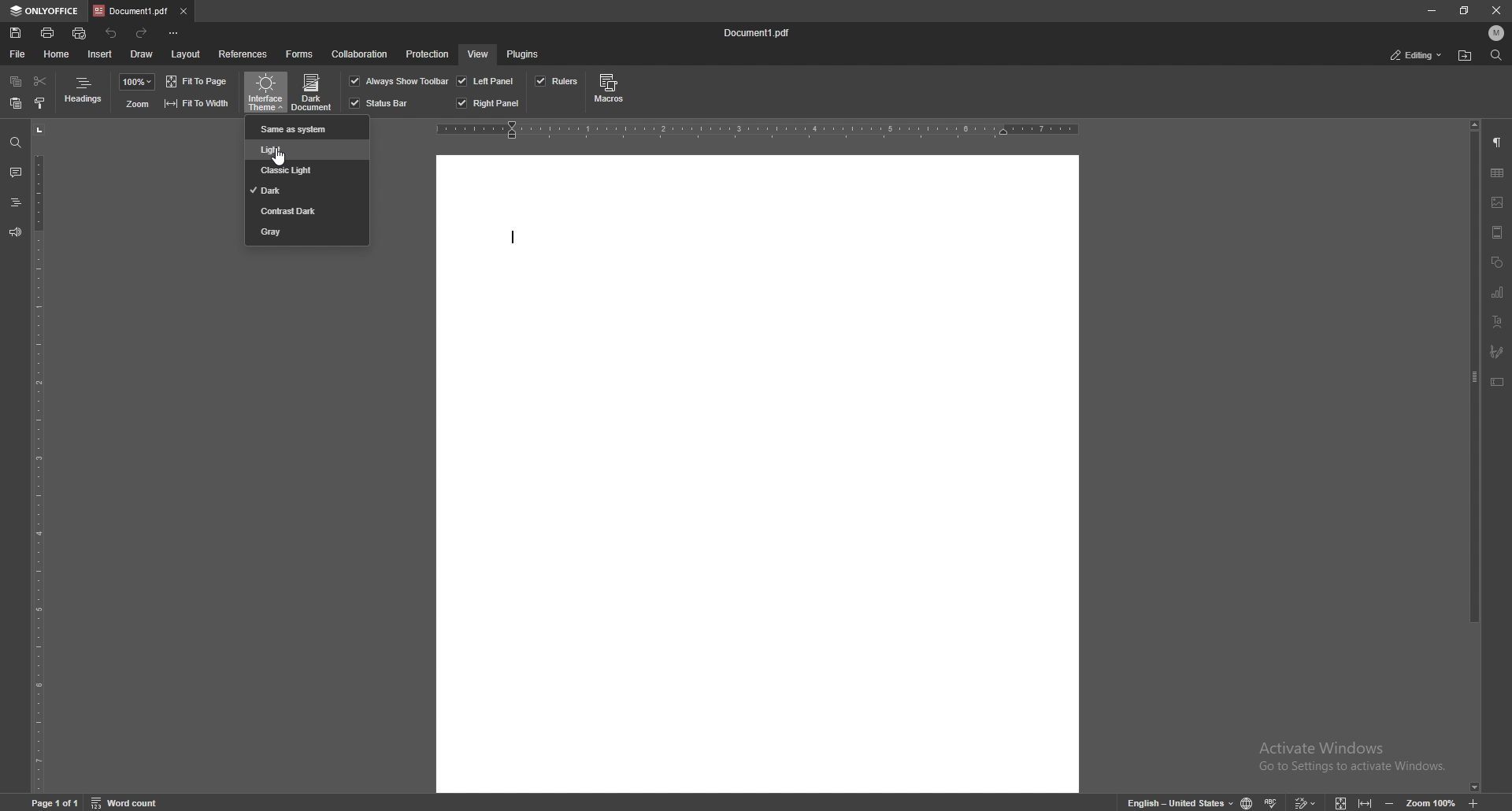 Image resolution: width=1512 pixels, height=811 pixels. I want to click on document, so click(757, 472).